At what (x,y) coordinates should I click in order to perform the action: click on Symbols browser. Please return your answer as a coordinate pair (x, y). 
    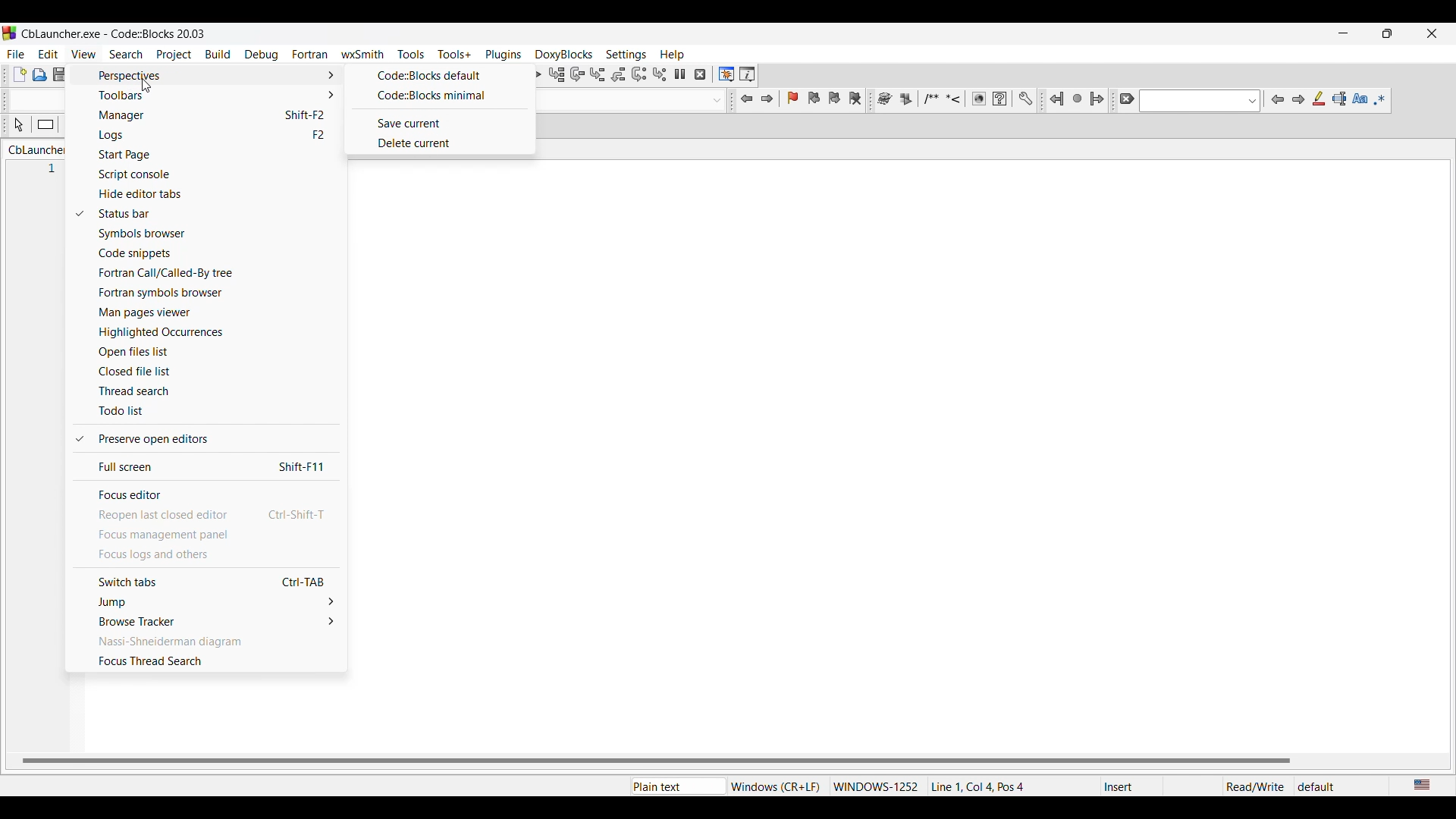
    Looking at the image, I should click on (218, 234).